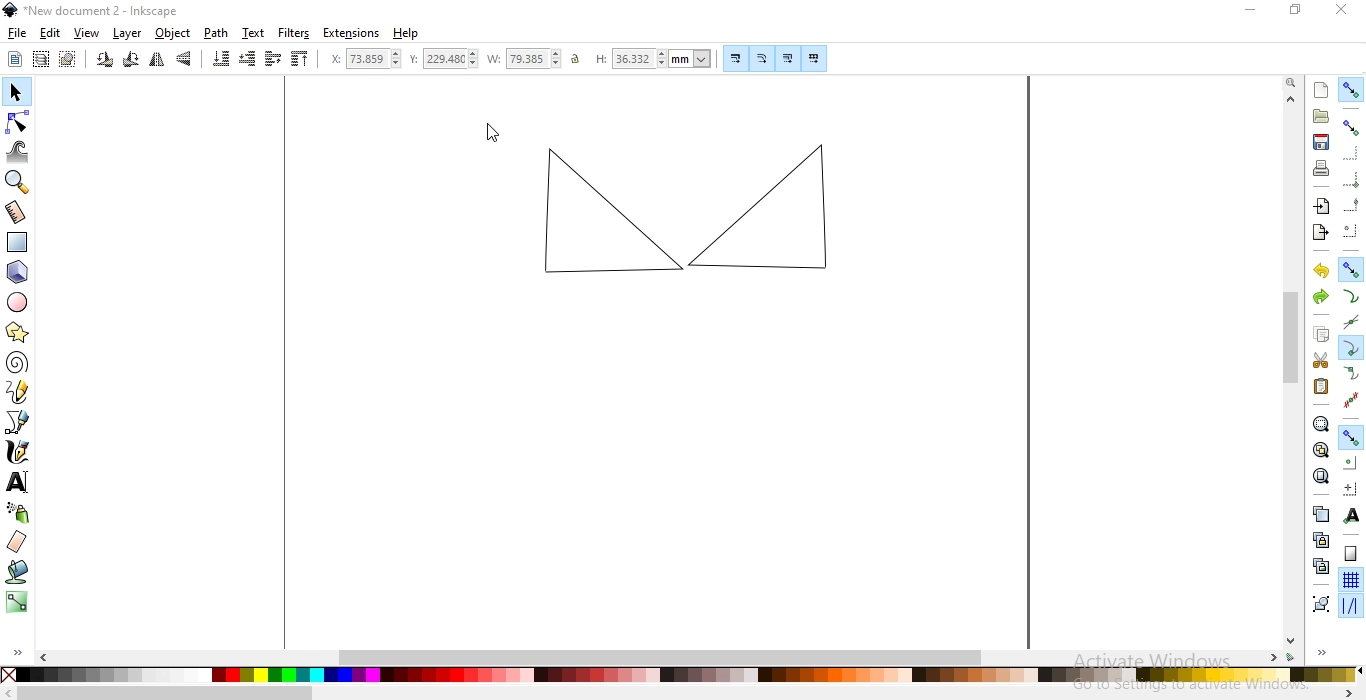  What do you see at coordinates (1254, 12) in the screenshot?
I see `minimize` at bounding box center [1254, 12].